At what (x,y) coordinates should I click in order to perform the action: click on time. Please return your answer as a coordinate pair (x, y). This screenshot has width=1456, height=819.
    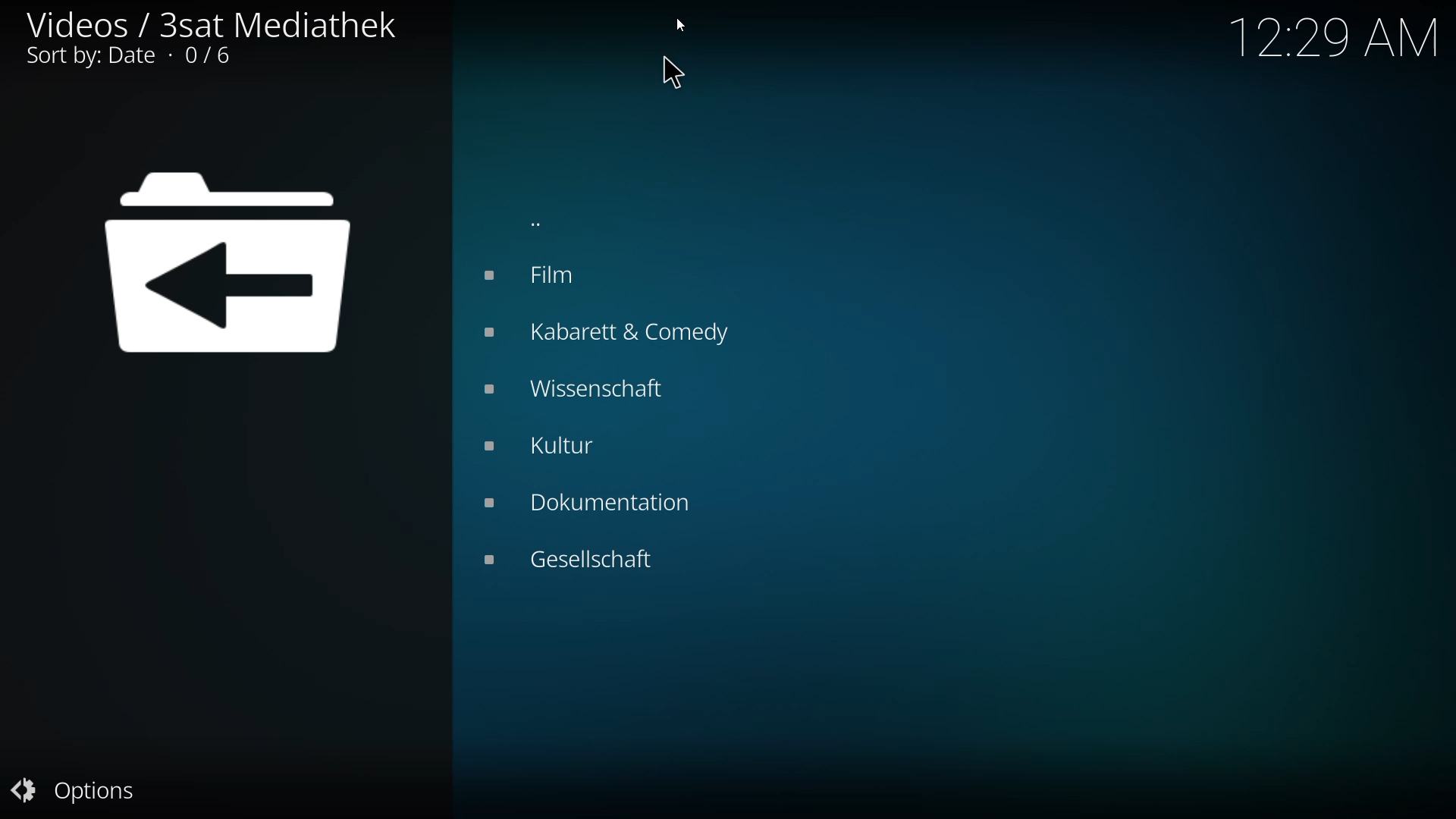
    Looking at the image, I should click on (1339, 36).